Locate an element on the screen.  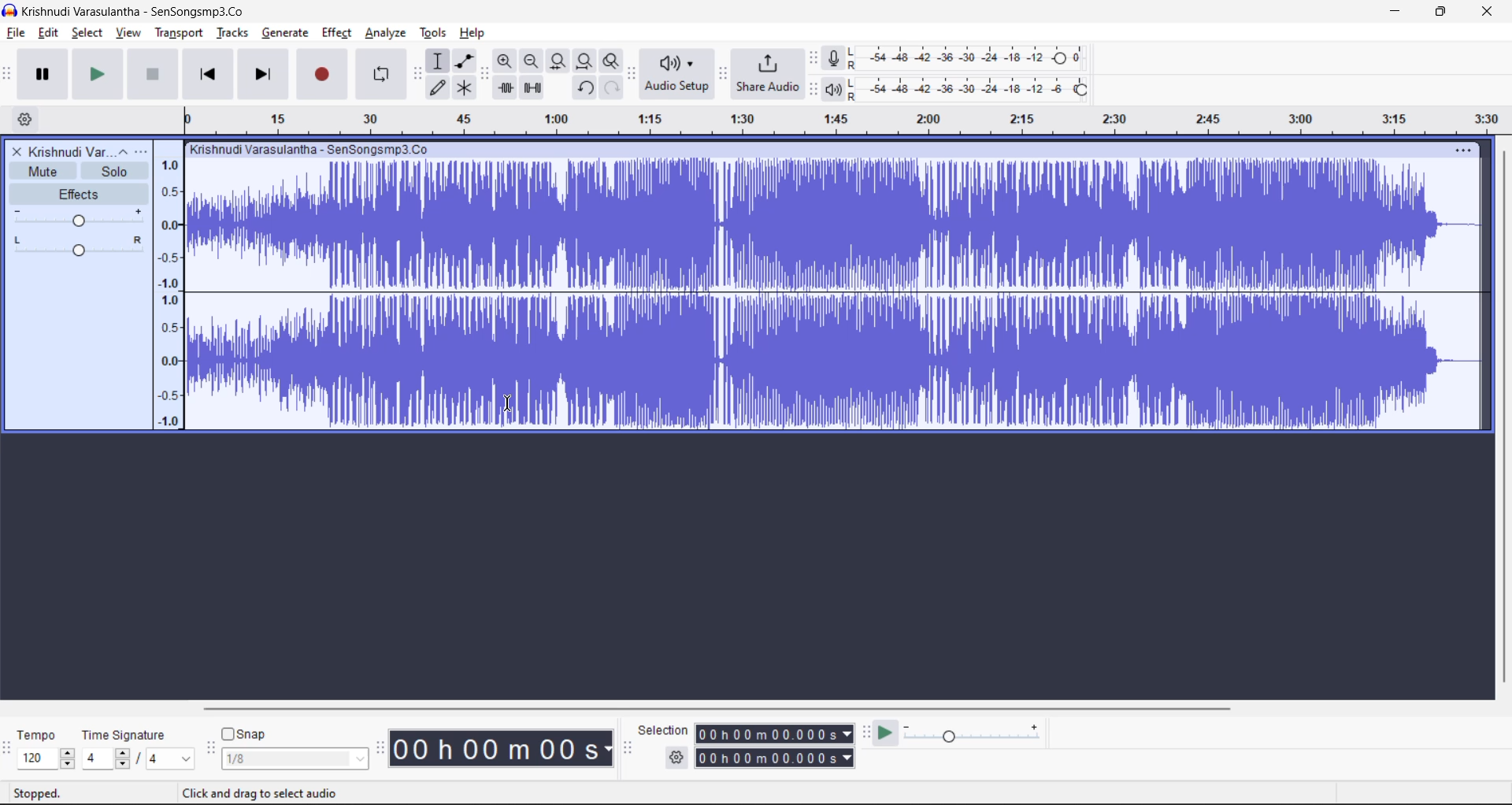
playback speed is located at coordinates (973, 731).